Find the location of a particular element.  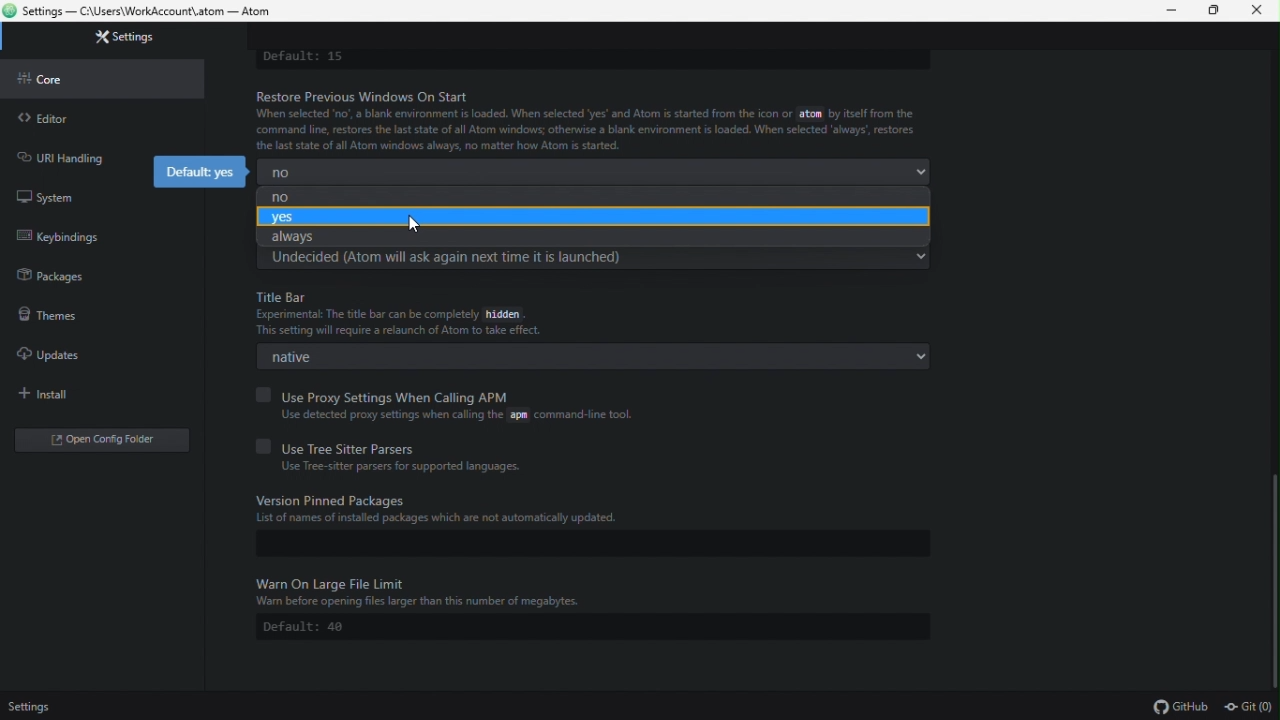

System is located at coordinates (71, 193).